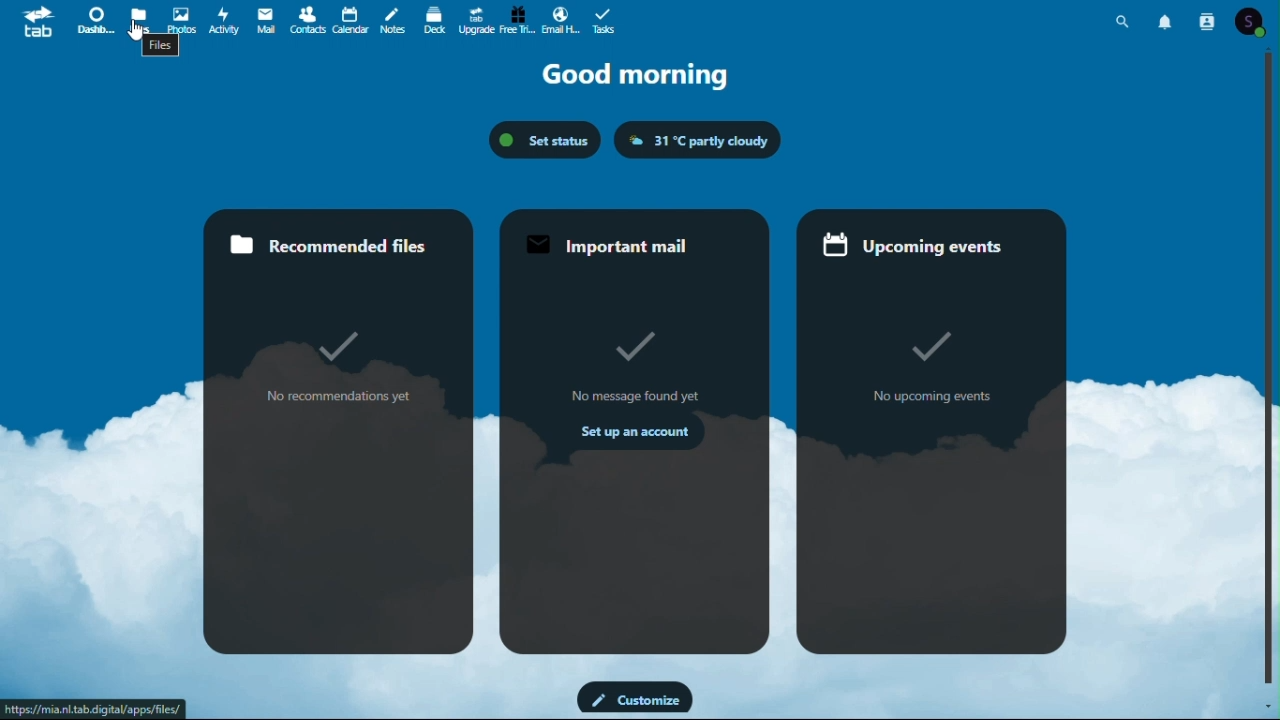 The width and height of the screenshot is (1280, 720). What do you see at coordinates (1255, 19) in the screenshot?
I see `Account icon` at bounding box center [1255, 19].